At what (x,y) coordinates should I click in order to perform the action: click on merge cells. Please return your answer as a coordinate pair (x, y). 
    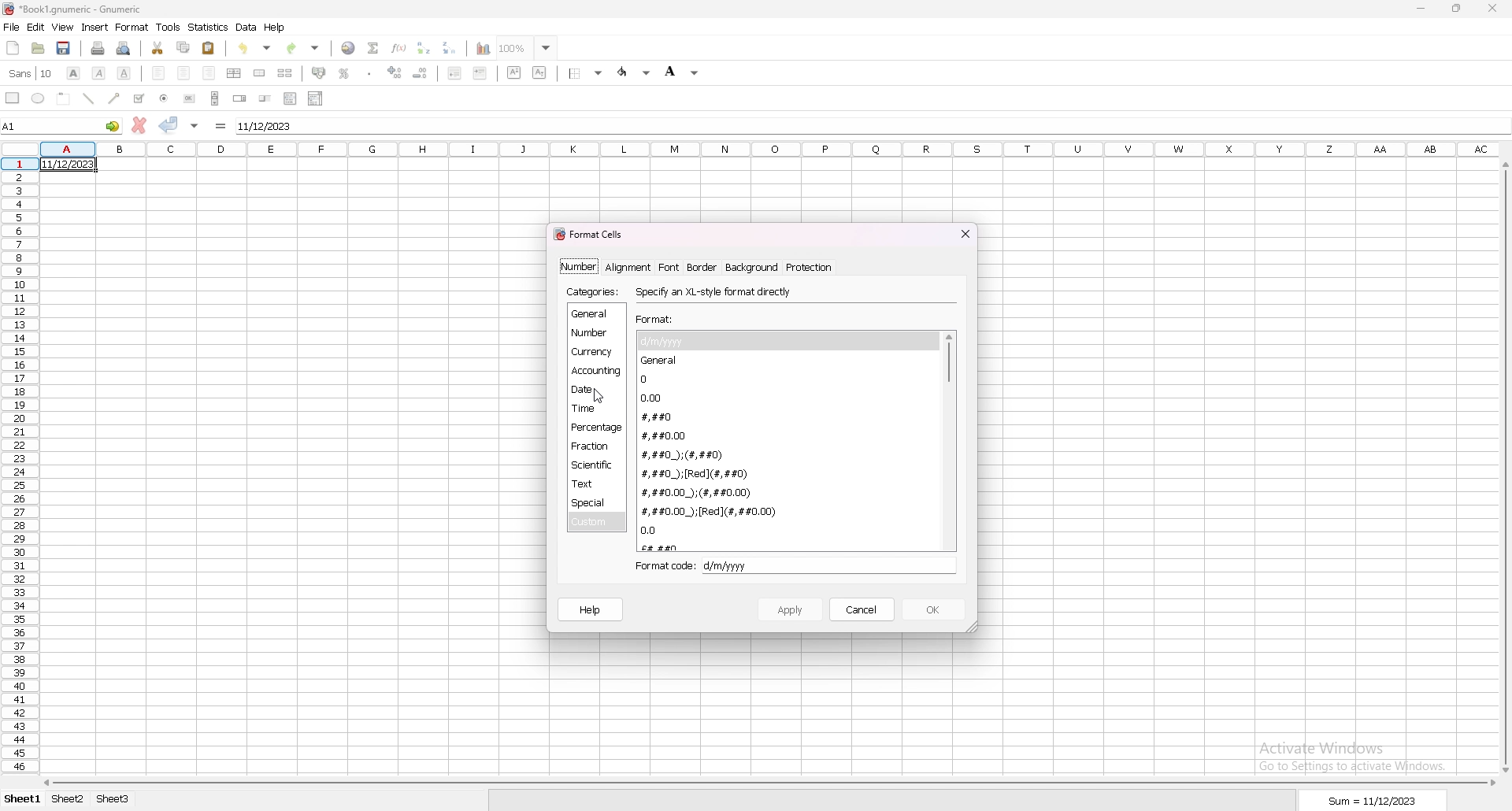
    Looking at the image, I should click on (259, 74).